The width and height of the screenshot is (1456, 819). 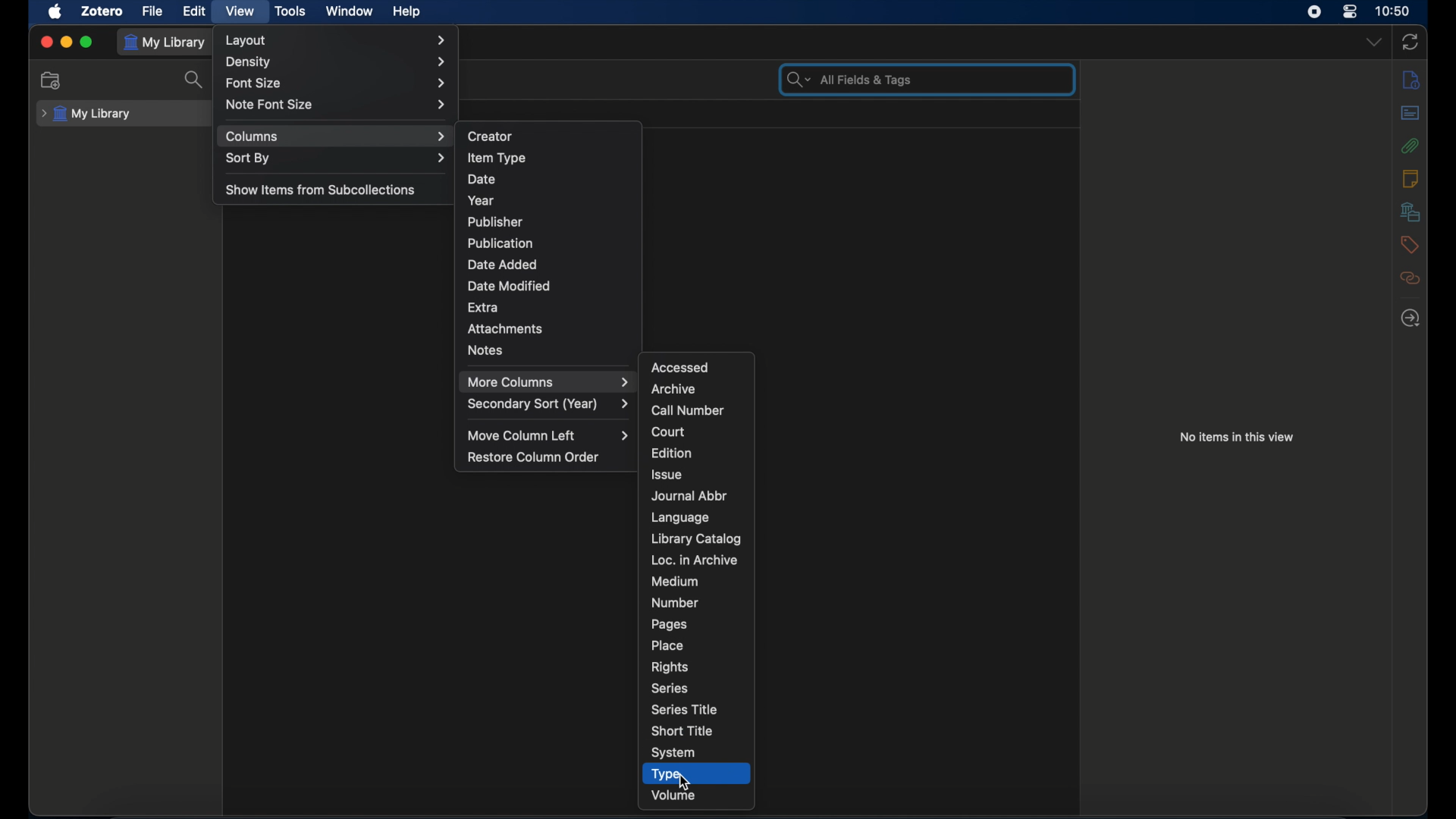 I want to click on date added, so click(x=501, y=264).